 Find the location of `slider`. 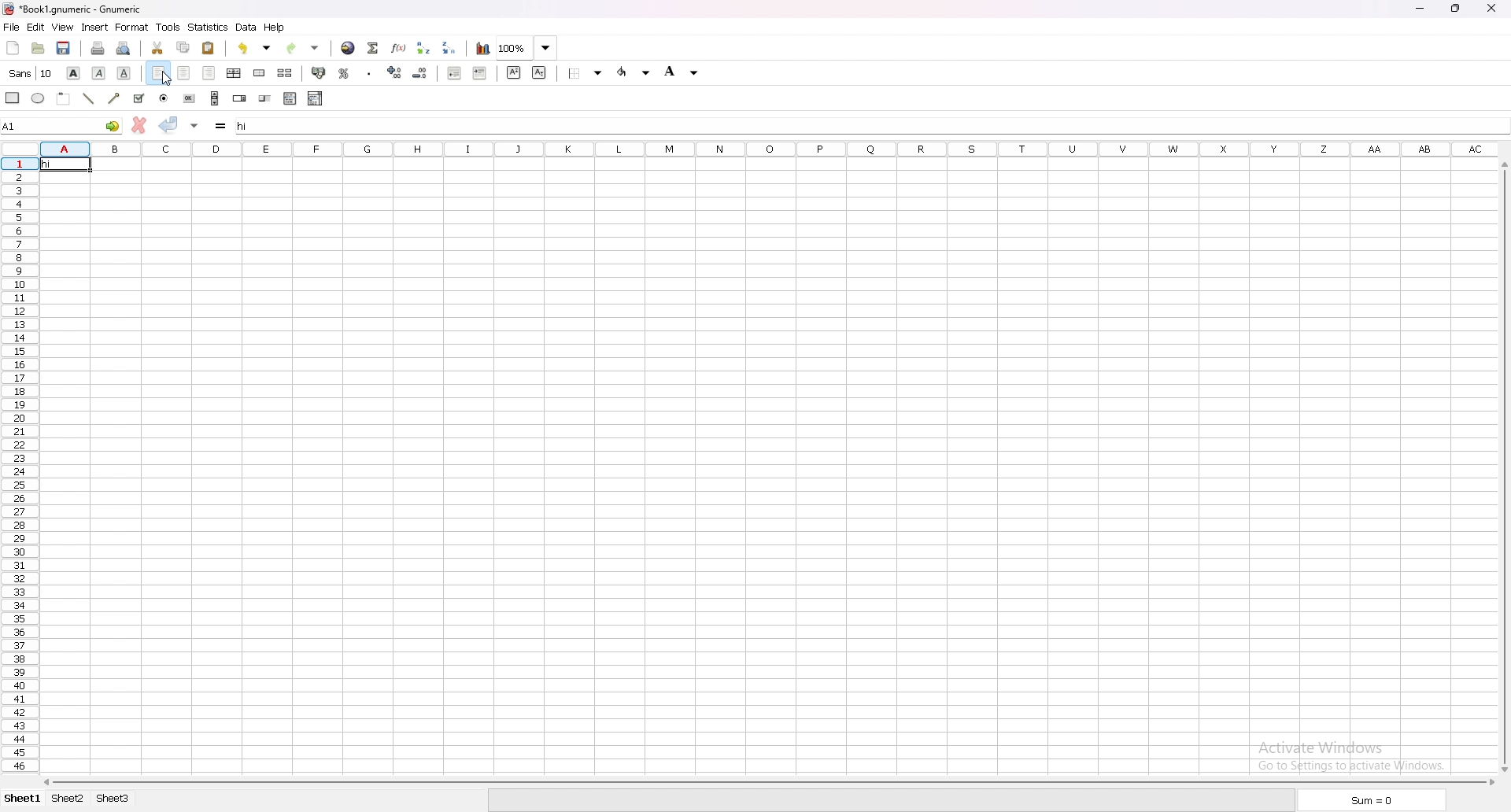

slider is located at coordinates (265, 100).